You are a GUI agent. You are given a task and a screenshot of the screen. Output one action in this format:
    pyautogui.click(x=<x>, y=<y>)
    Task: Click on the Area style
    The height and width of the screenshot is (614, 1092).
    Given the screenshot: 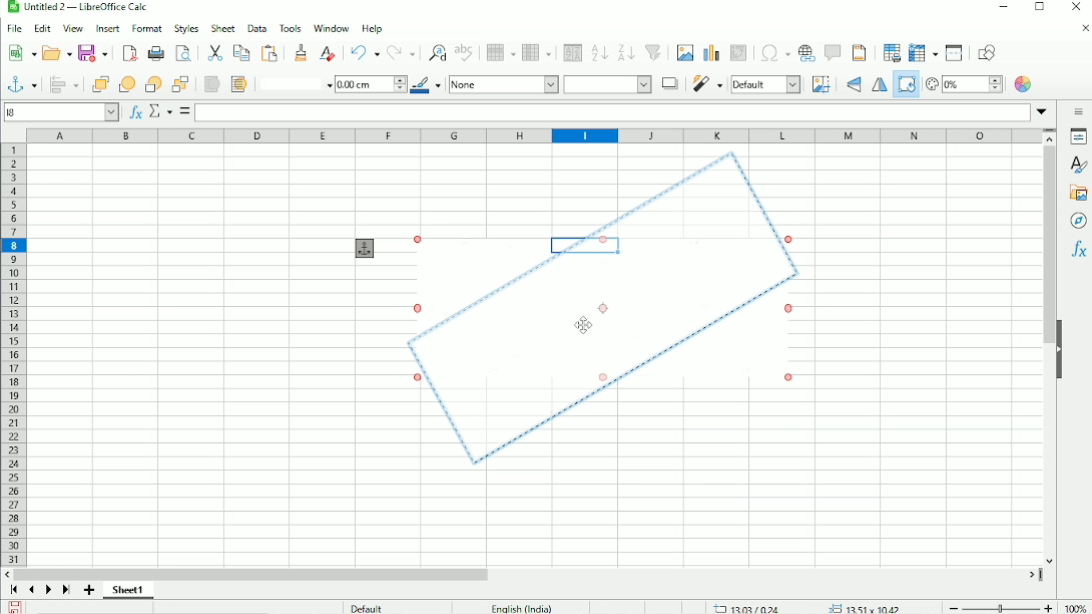 What is the action you would take?
    pyautogui.click(x=608, y=84)
    